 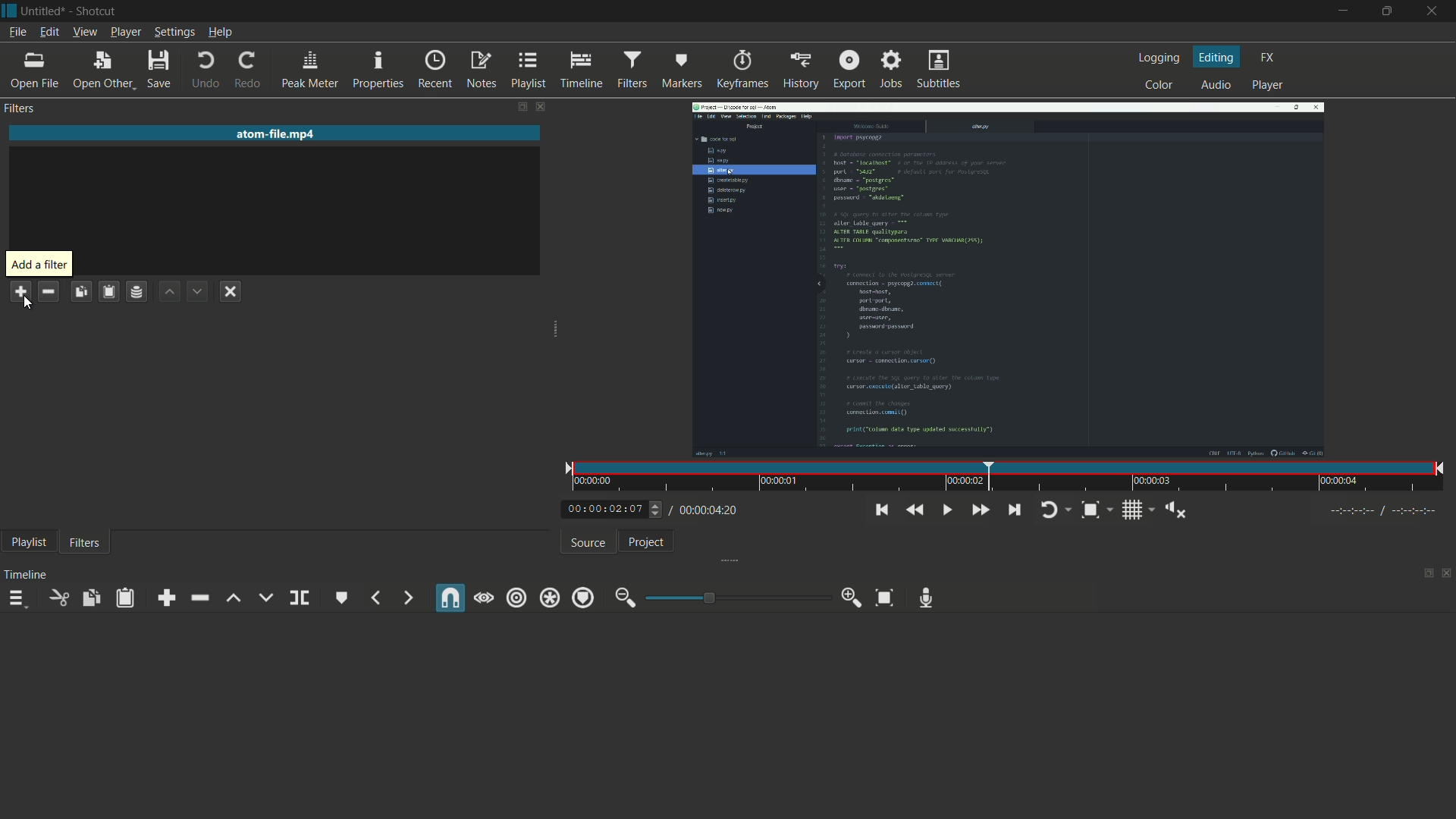 What do you see at coordinates (1011, 477) in the screenshot?
I see `time` at bounding box center [1011, 477].